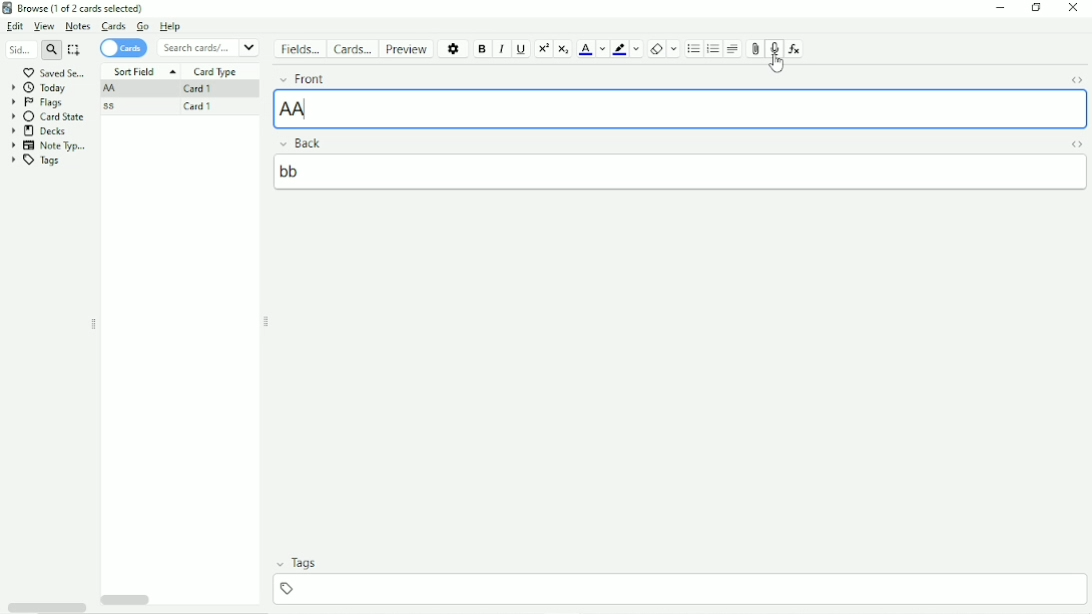 The image size is (1092, 614). I want to click on Select formatting to remove, so click(674, 48).